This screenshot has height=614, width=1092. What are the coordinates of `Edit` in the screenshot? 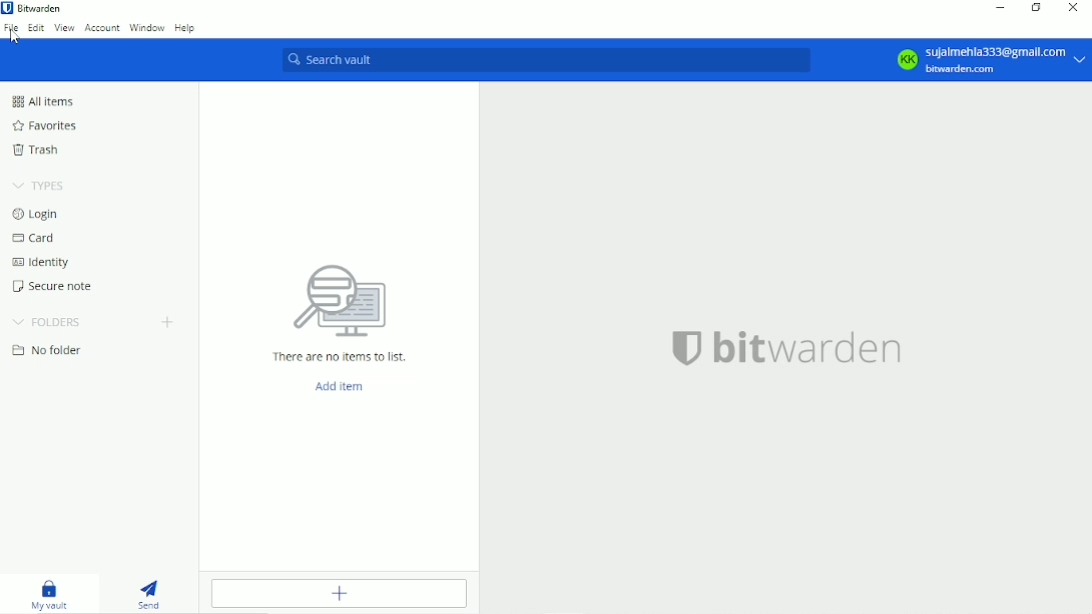 It's located at (34, 27).